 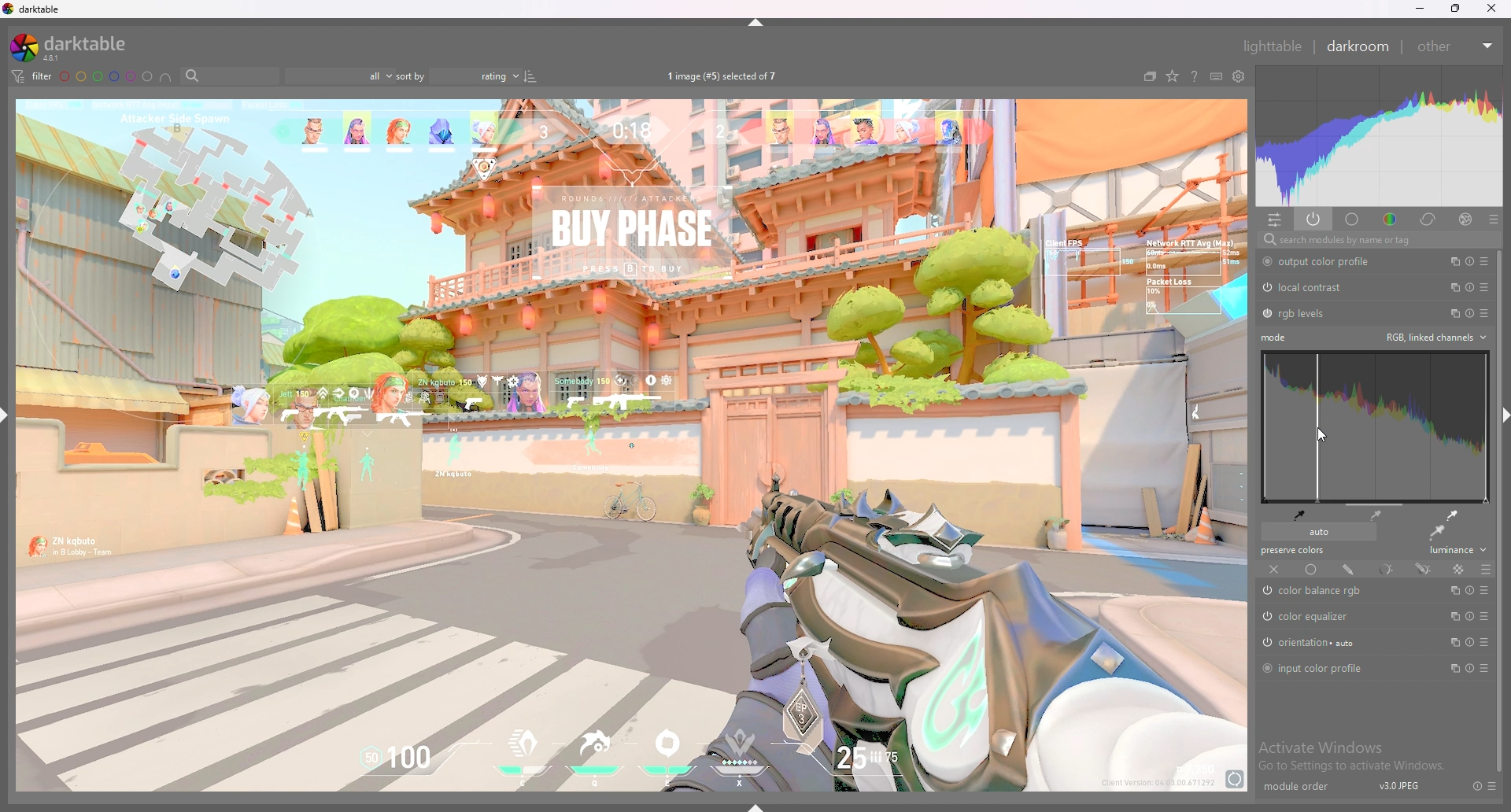 What do you see at coordinates (1265, 288) in the screenshot?
I see `switched on` at bounding box center [1265, 288].